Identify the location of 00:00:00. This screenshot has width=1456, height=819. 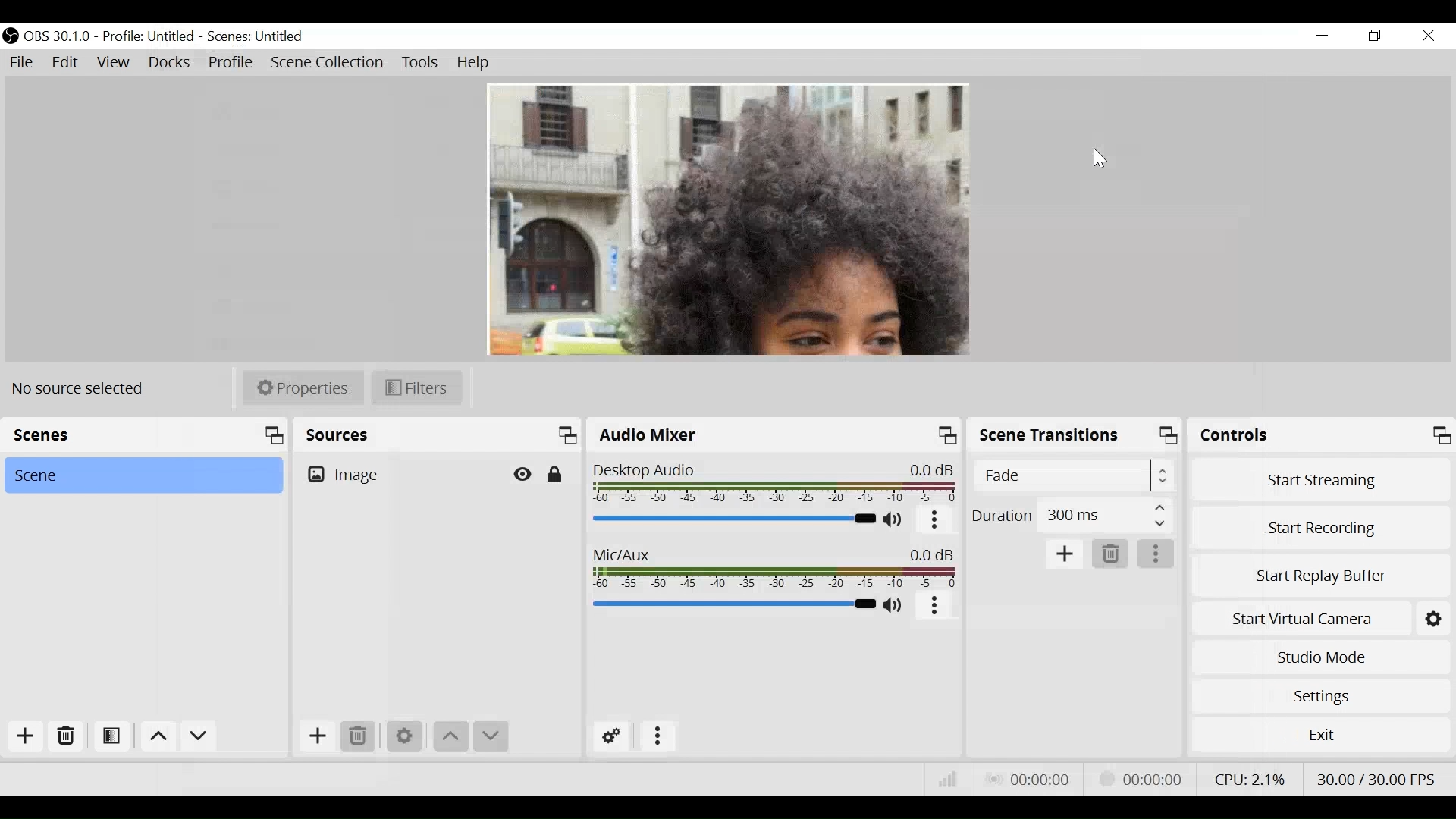
(1139, 780).